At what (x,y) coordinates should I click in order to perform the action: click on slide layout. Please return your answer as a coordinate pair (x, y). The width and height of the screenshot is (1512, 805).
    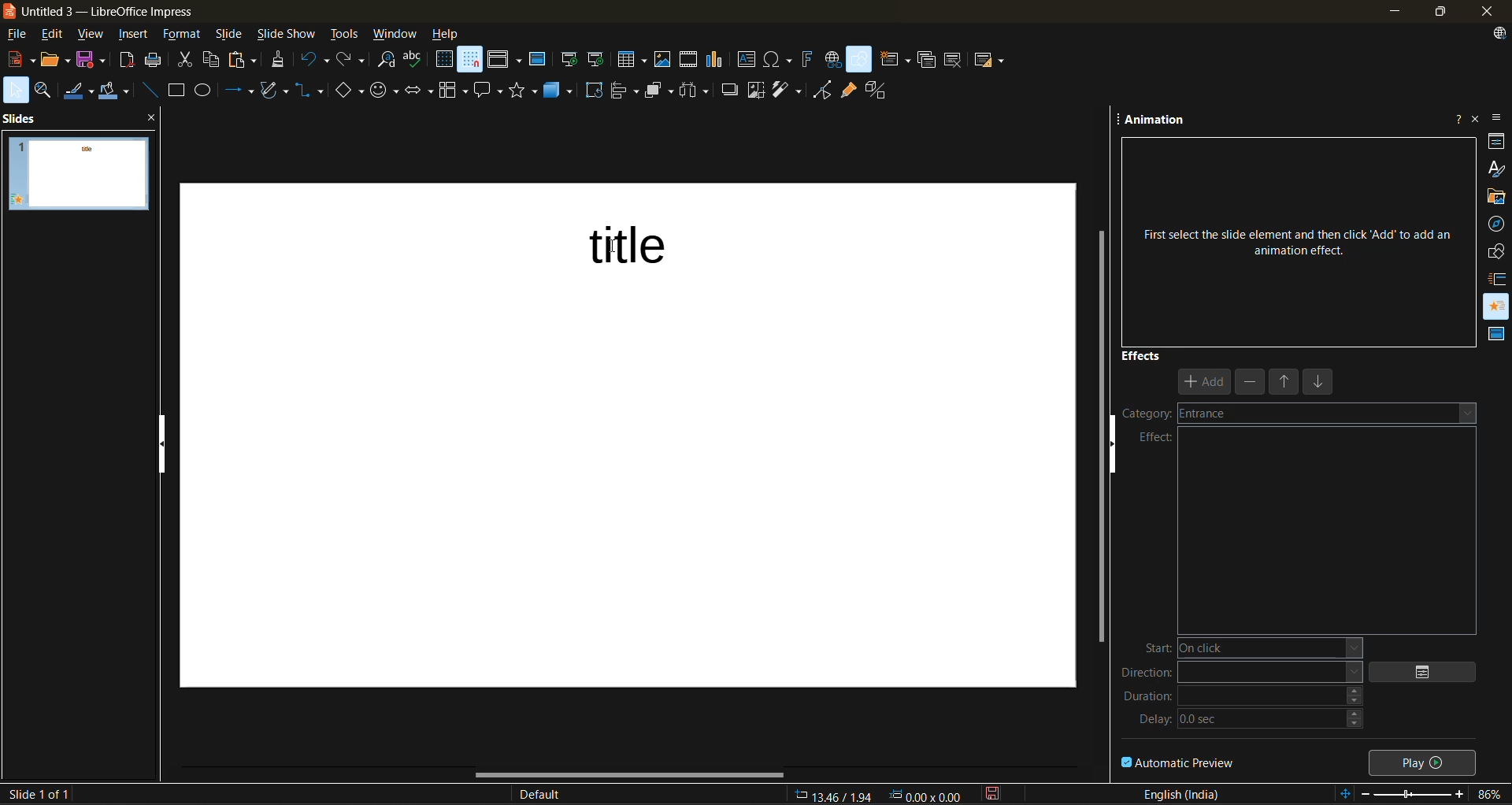
    Looking at the image, I should click on (990, 63).